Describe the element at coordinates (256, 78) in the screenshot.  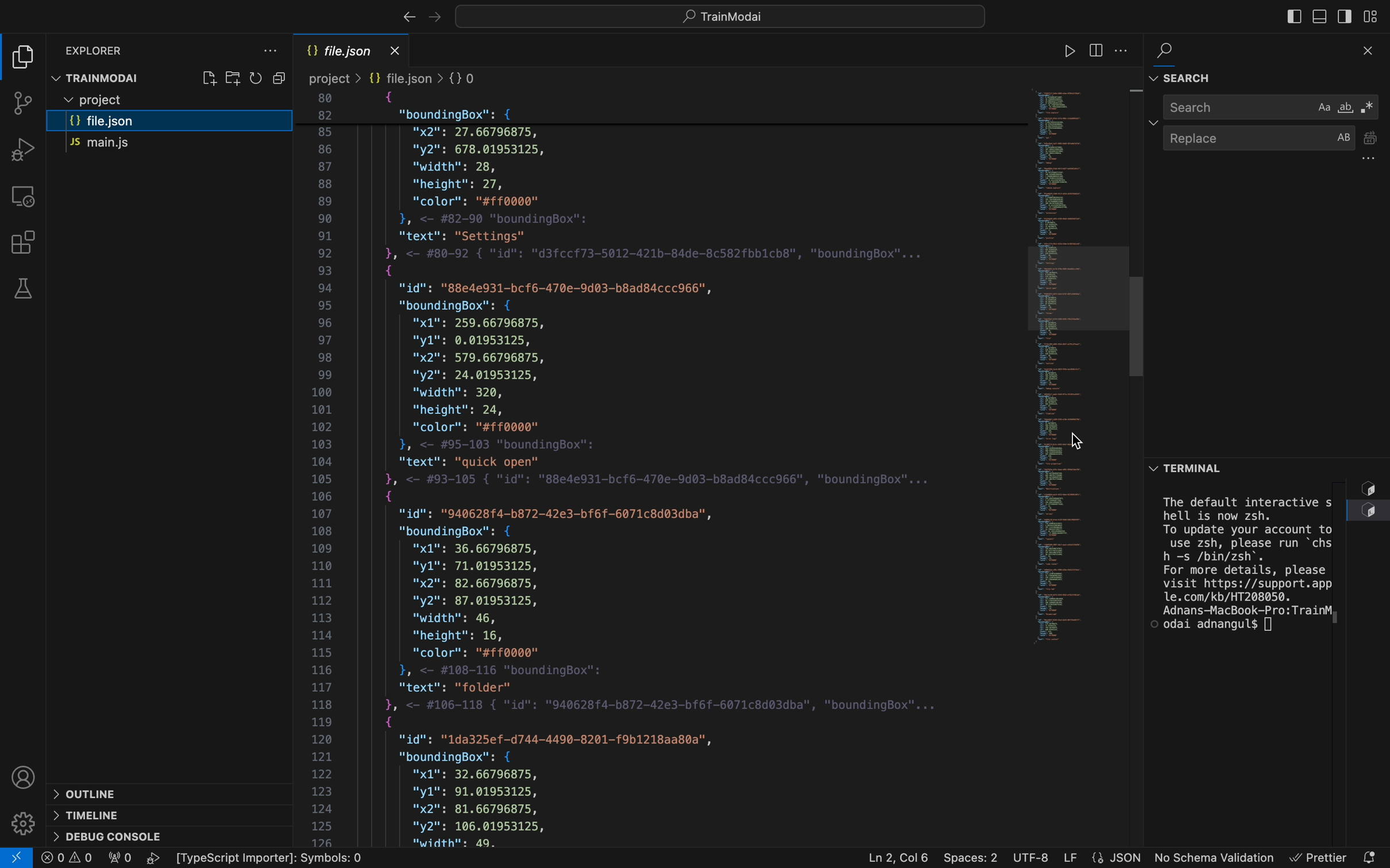
I see `restart` at that location.